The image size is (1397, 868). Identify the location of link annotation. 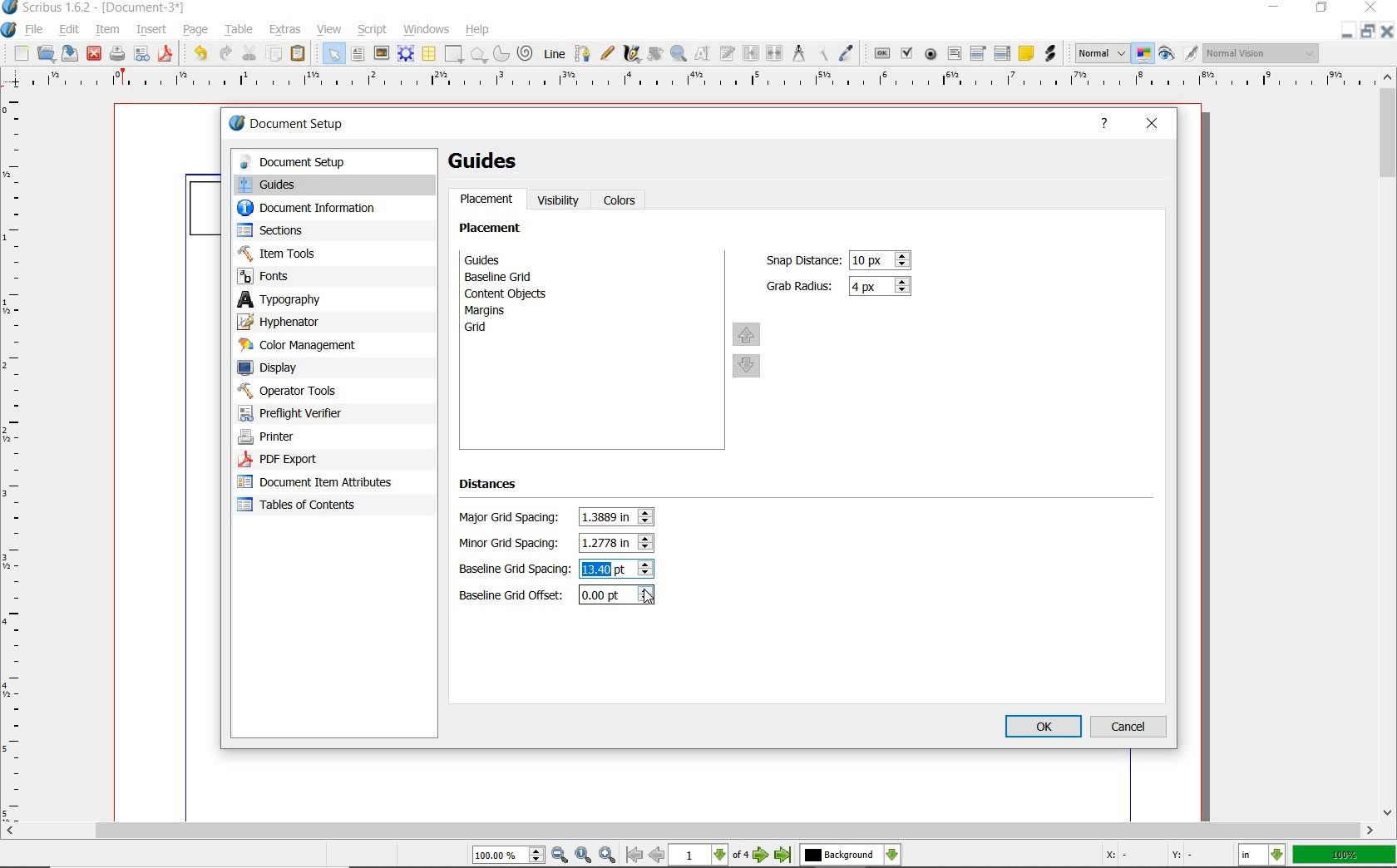
(1053, 55).